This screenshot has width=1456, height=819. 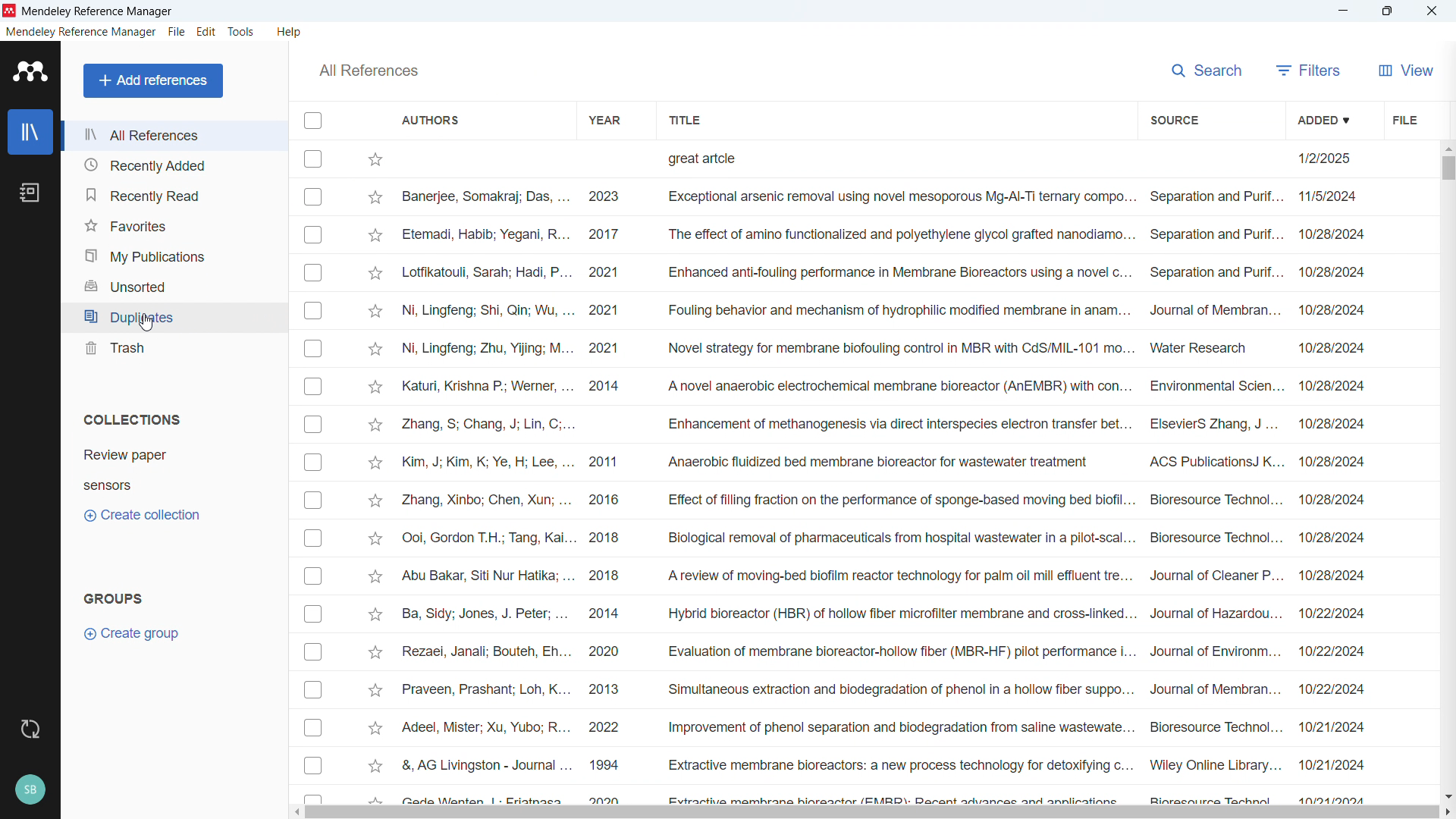 What do you see at coordinates (375, 472) in the screenshot?
I see `Star Mark individual entries ` at bounding box center [375, 472].